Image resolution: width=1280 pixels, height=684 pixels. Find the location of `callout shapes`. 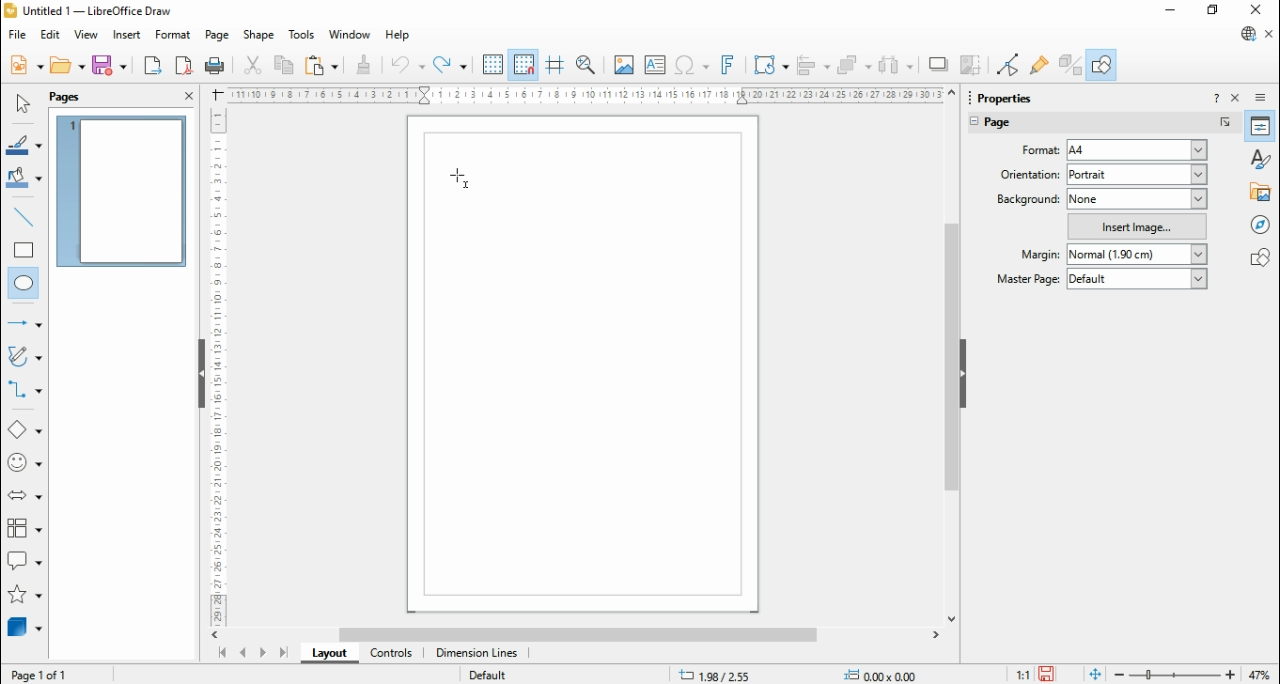

callout shapes is located at coordinates (26, 564).